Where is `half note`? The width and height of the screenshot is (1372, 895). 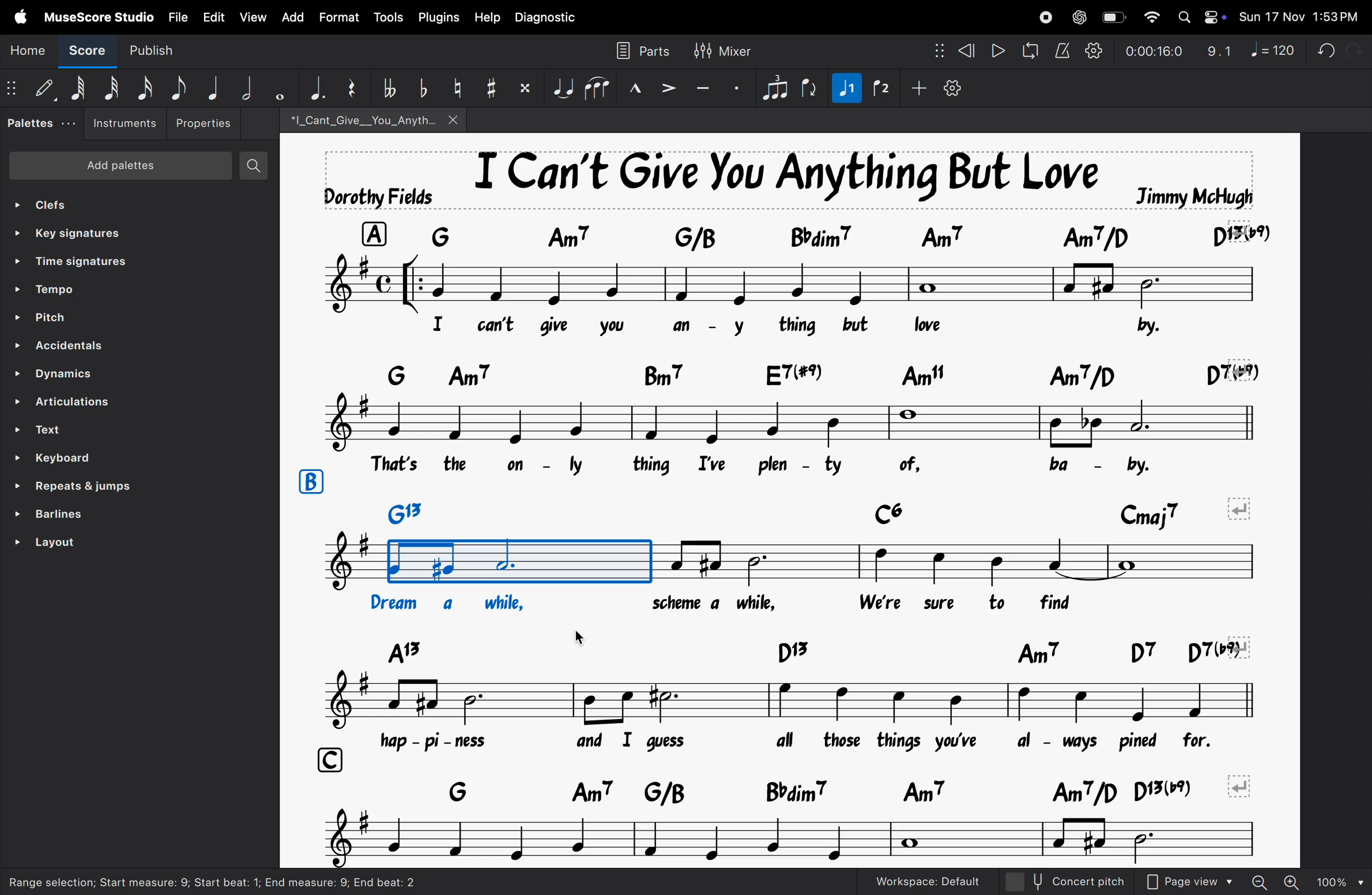 half note is located at coordinates (244, 88).